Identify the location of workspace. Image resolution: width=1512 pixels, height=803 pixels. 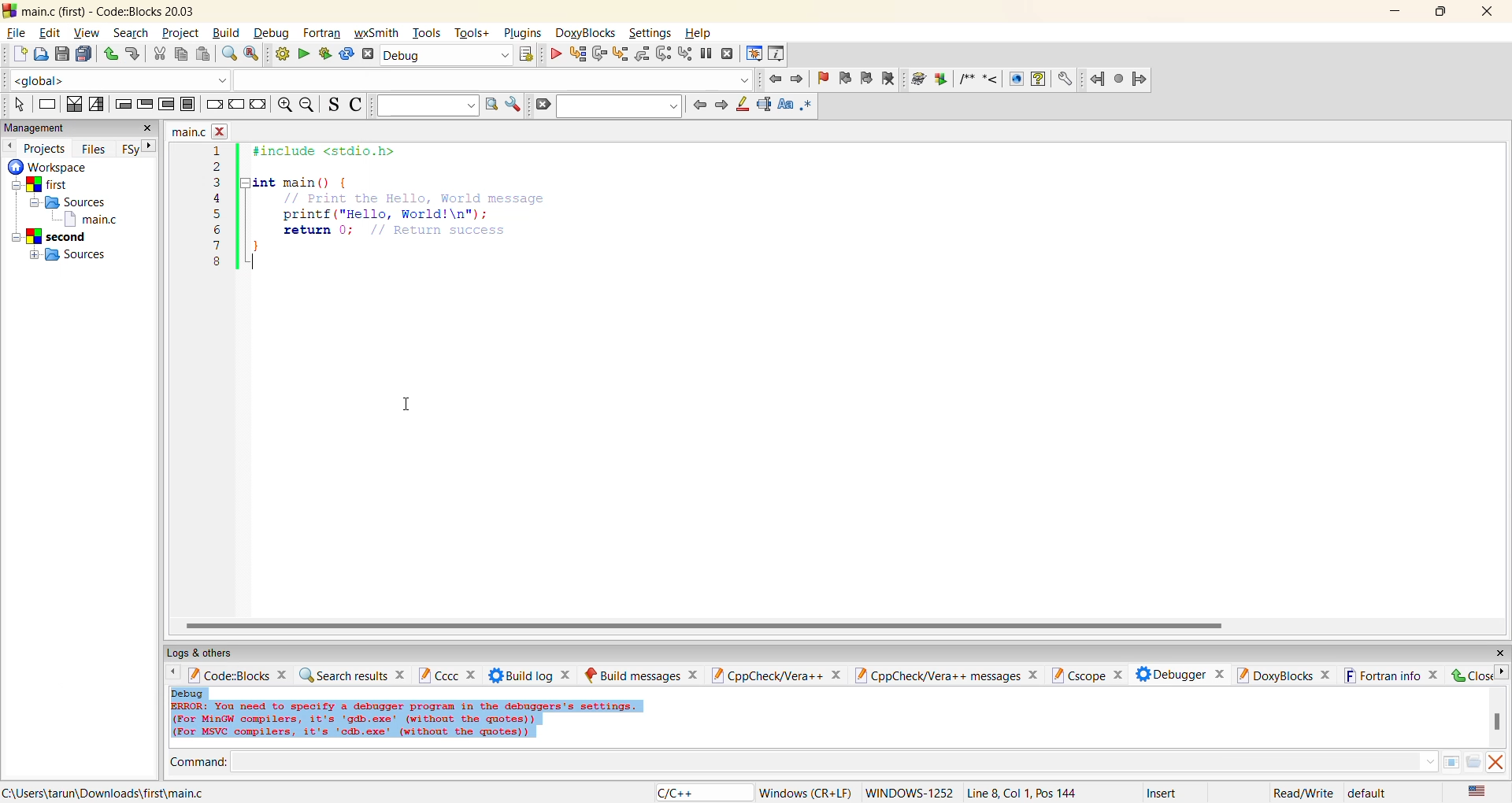
(50, 167).